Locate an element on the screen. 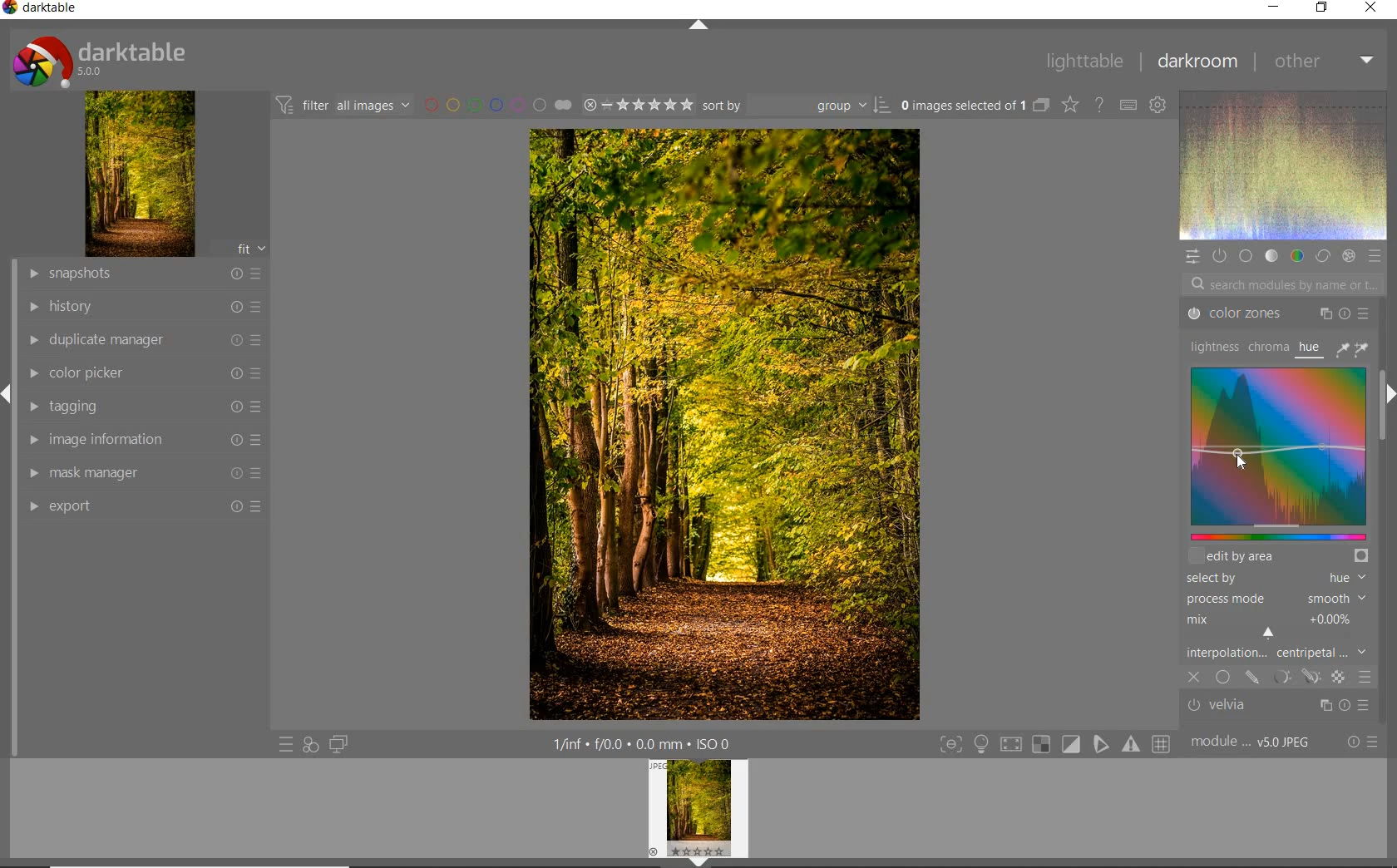  mix is located at coordinates (1281, 627).